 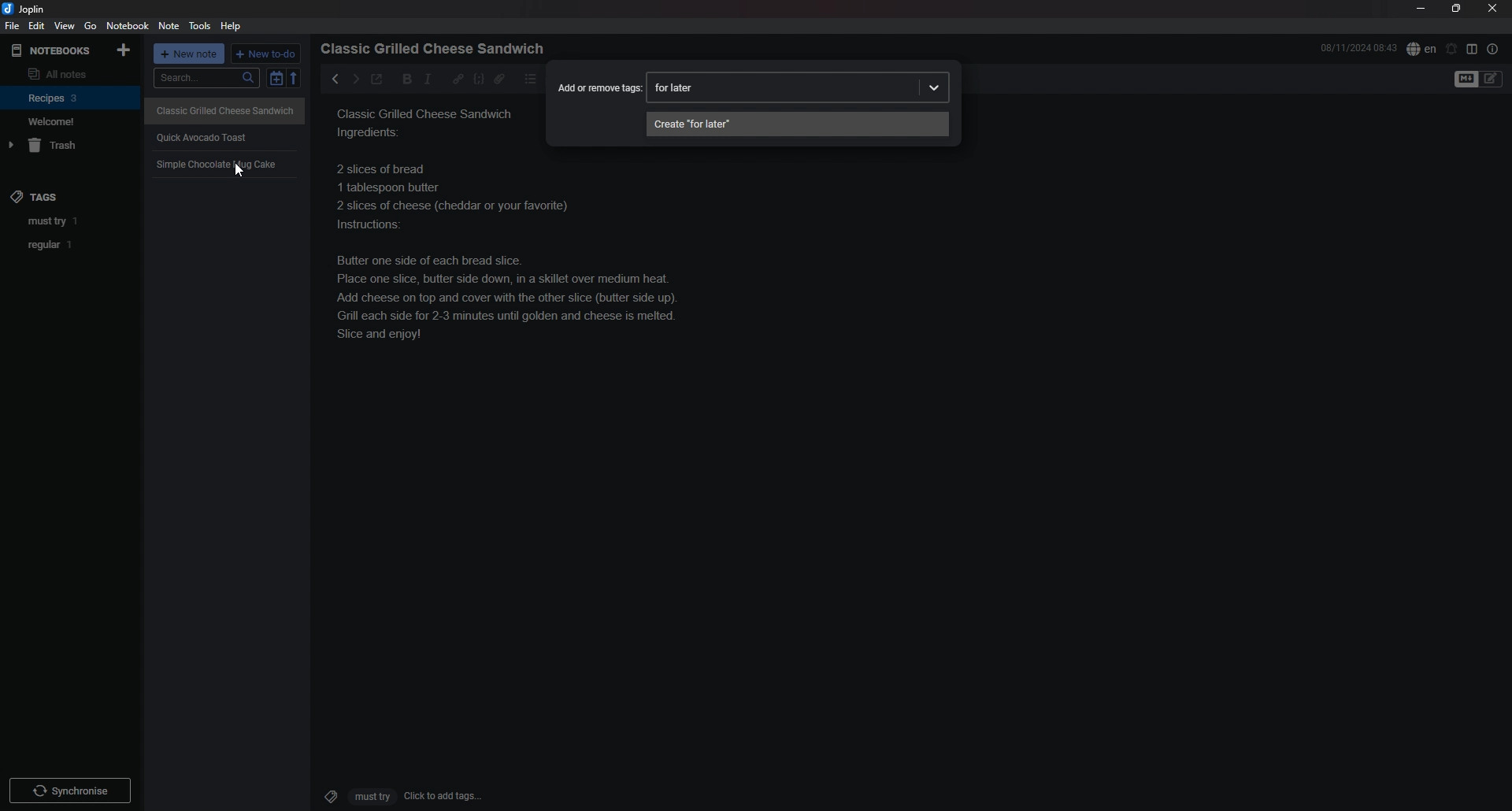 I want to click on Classic grilled cheese sandwich ingredients, so click(x=427, y=127).